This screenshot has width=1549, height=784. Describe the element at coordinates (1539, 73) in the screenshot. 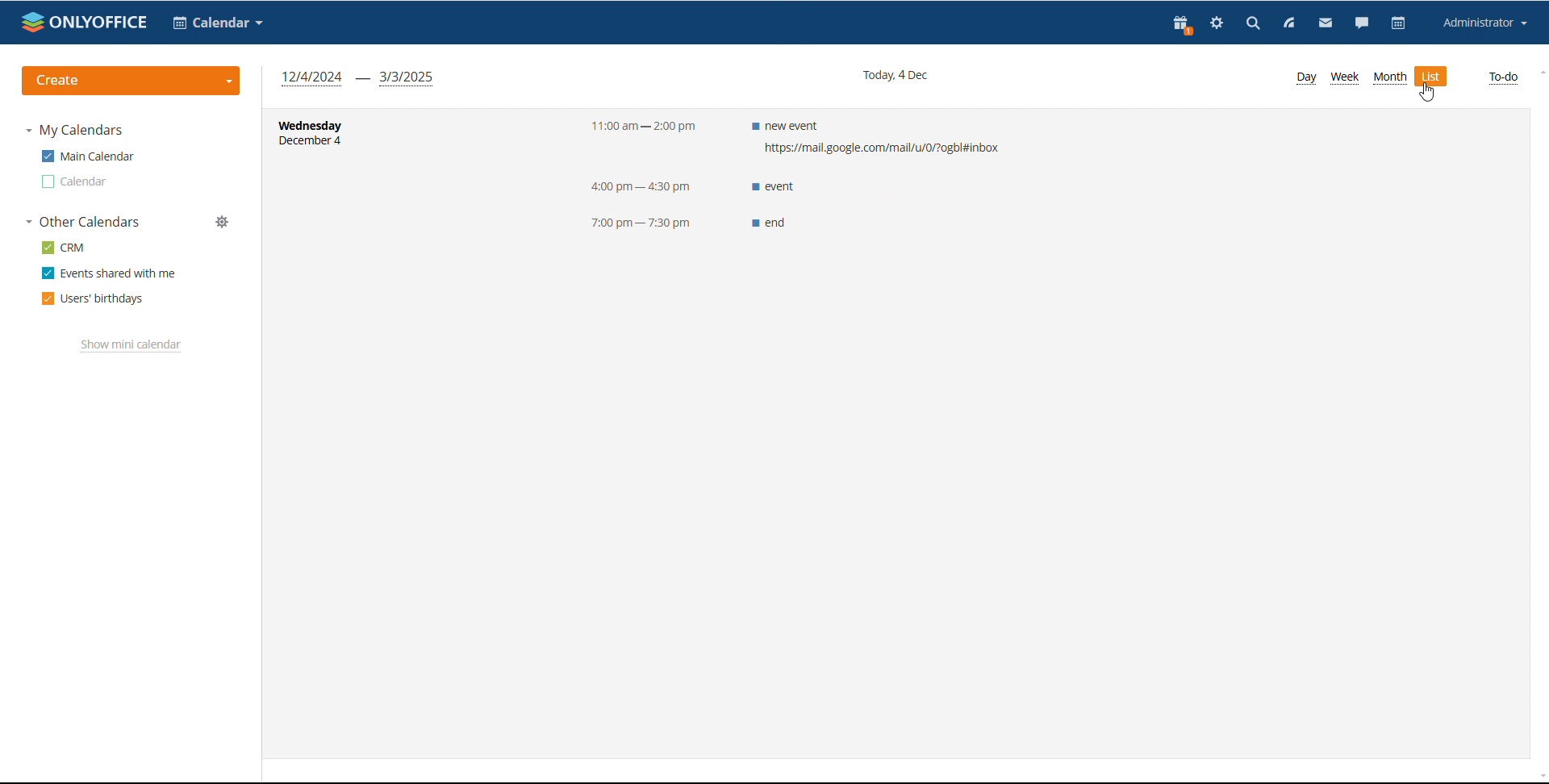

I see `scroll up` at that location.